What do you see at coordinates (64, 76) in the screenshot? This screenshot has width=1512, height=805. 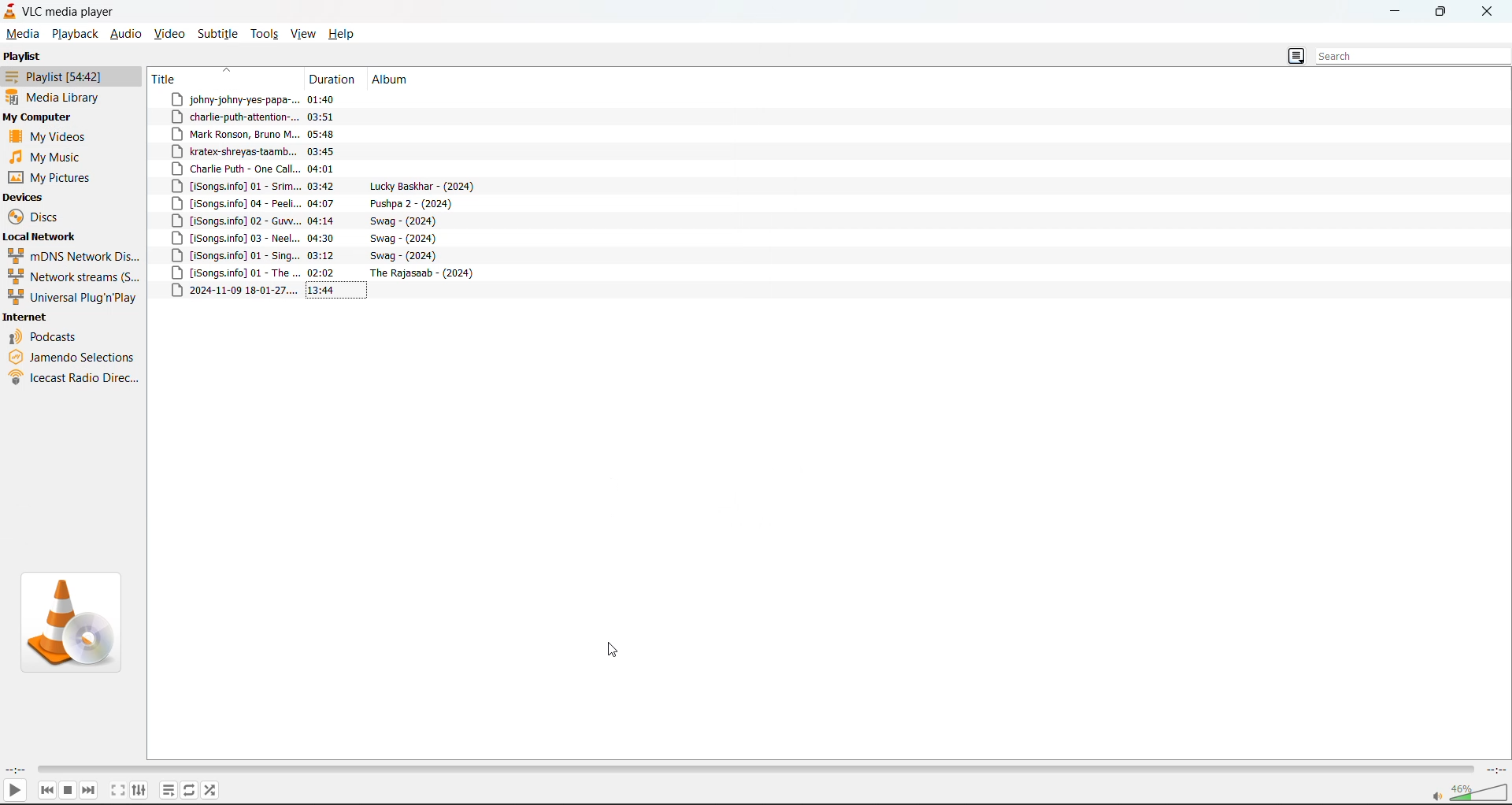 I see `playlist` at bounding box center [64, 76].